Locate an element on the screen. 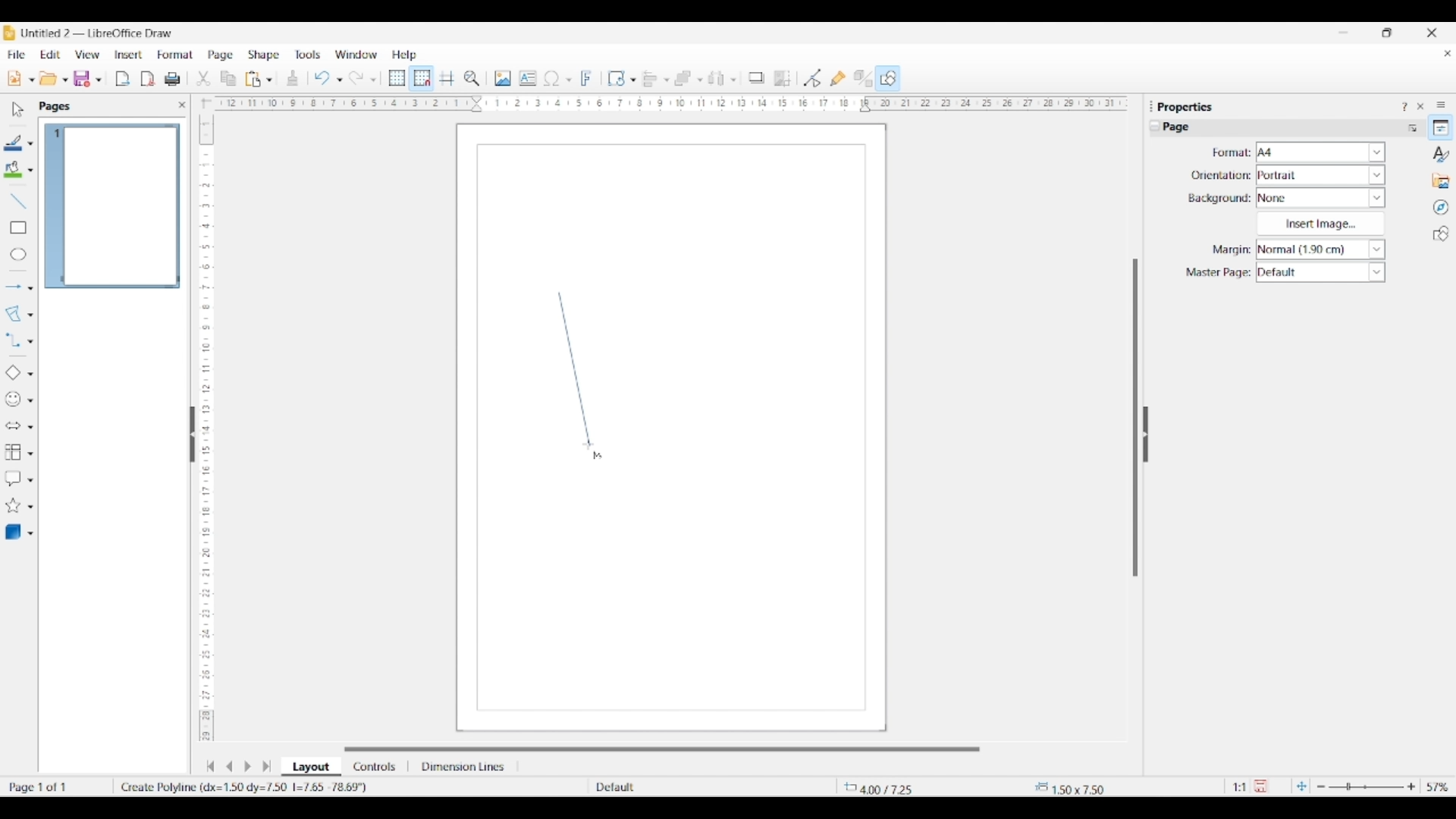 Image resolution: width=1456 pixels, height=819 pixels. Collapse page settings is located at coordinates (1155, 126).